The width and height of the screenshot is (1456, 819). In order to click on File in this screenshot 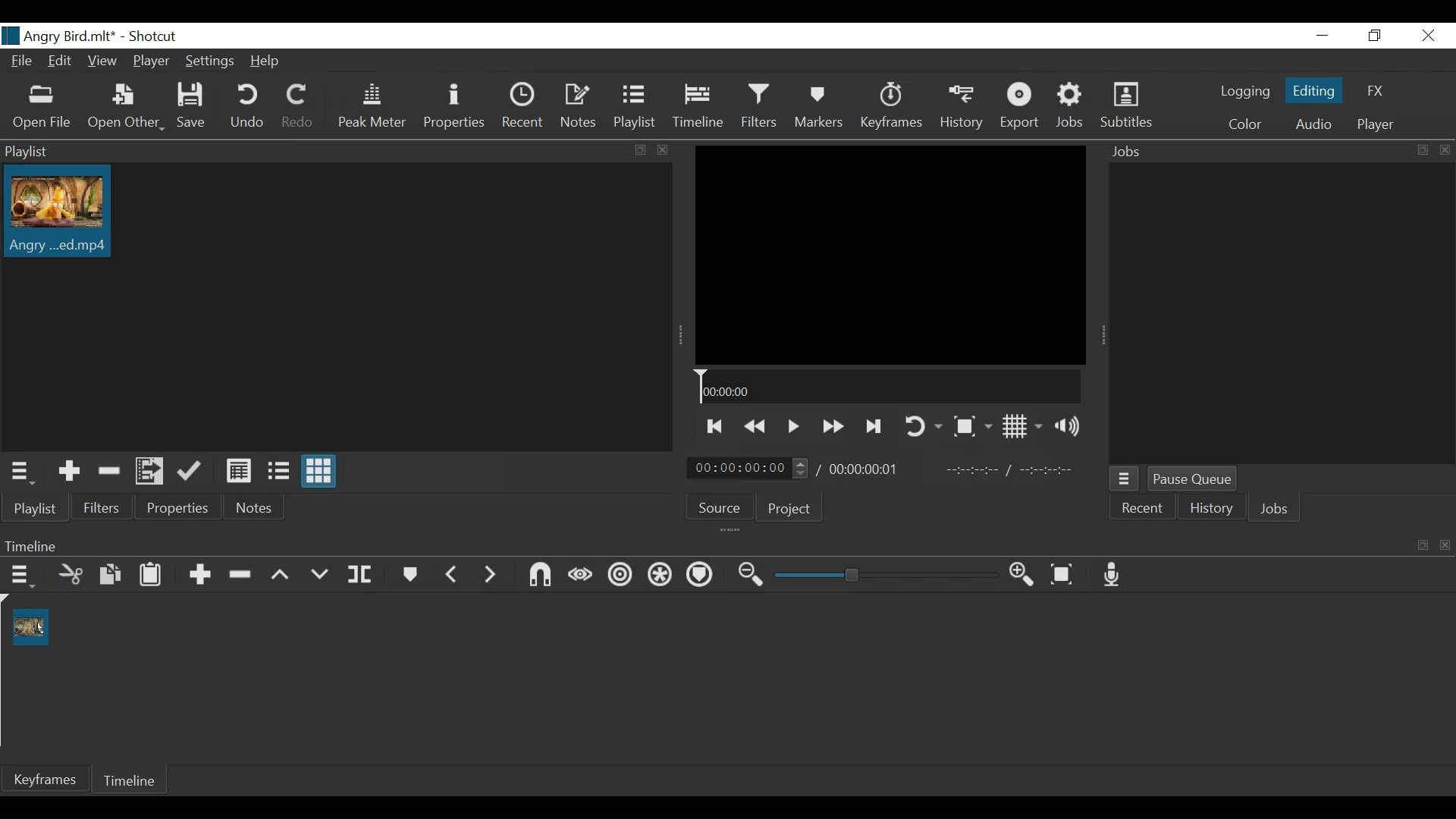, I will do `click(20, 60)`.